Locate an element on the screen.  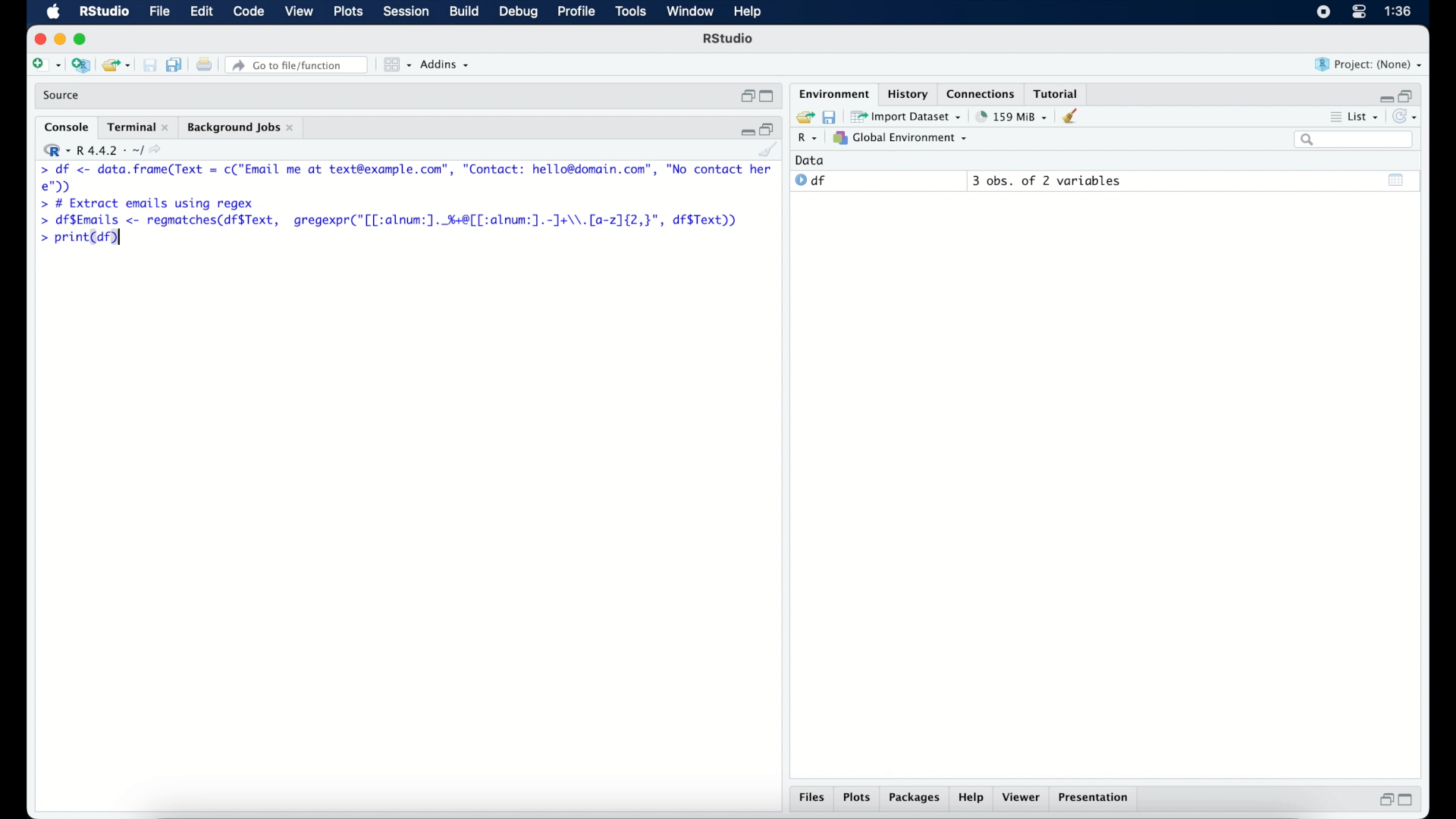
3 obs, of 2 variables is located at coordinates (1047, 180).